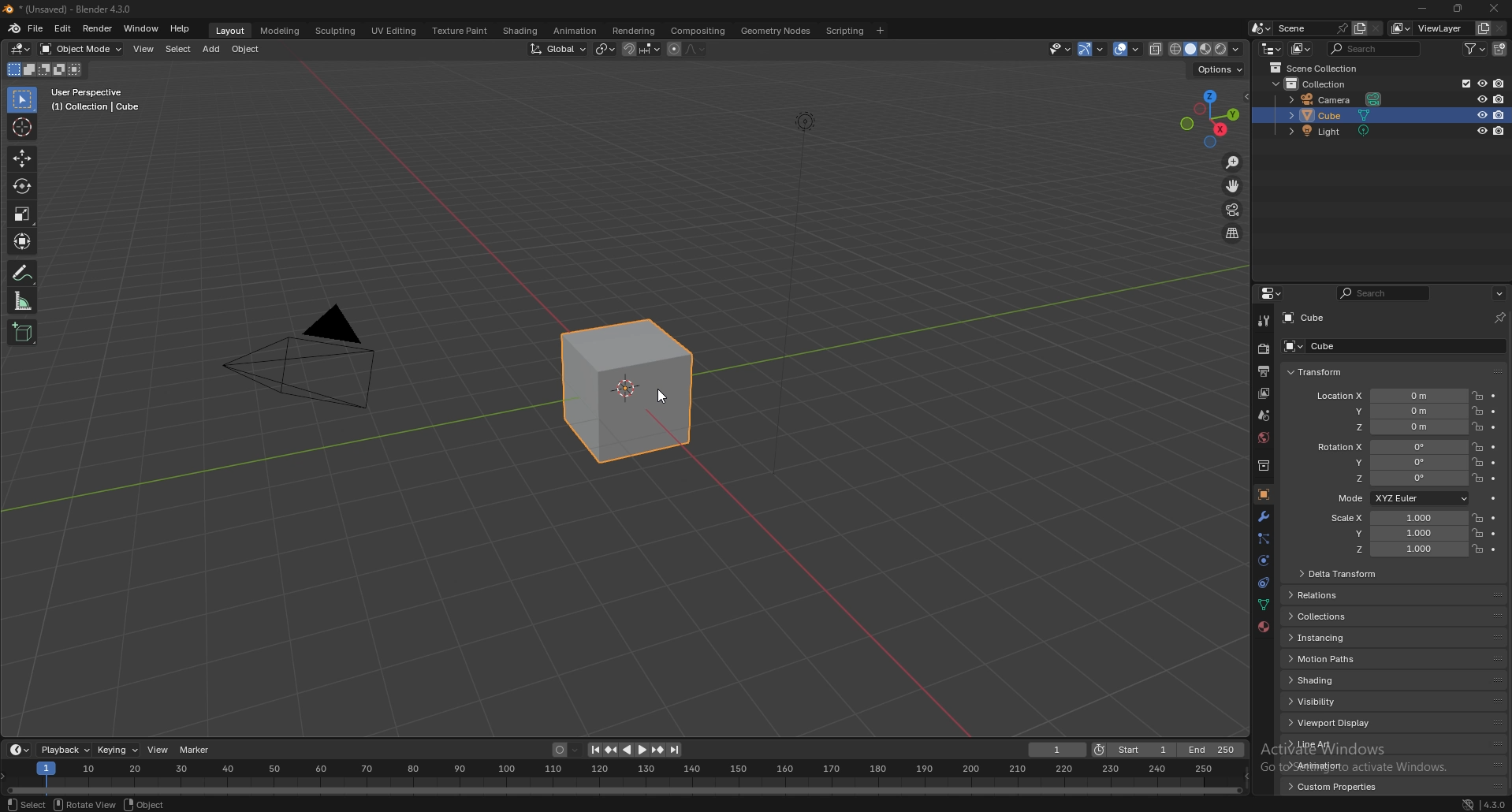 The width and height of the screenshot is (1512, 812). Describe the element at coordinates (81, 49) in the screenshot. I see `object mode` at that location.